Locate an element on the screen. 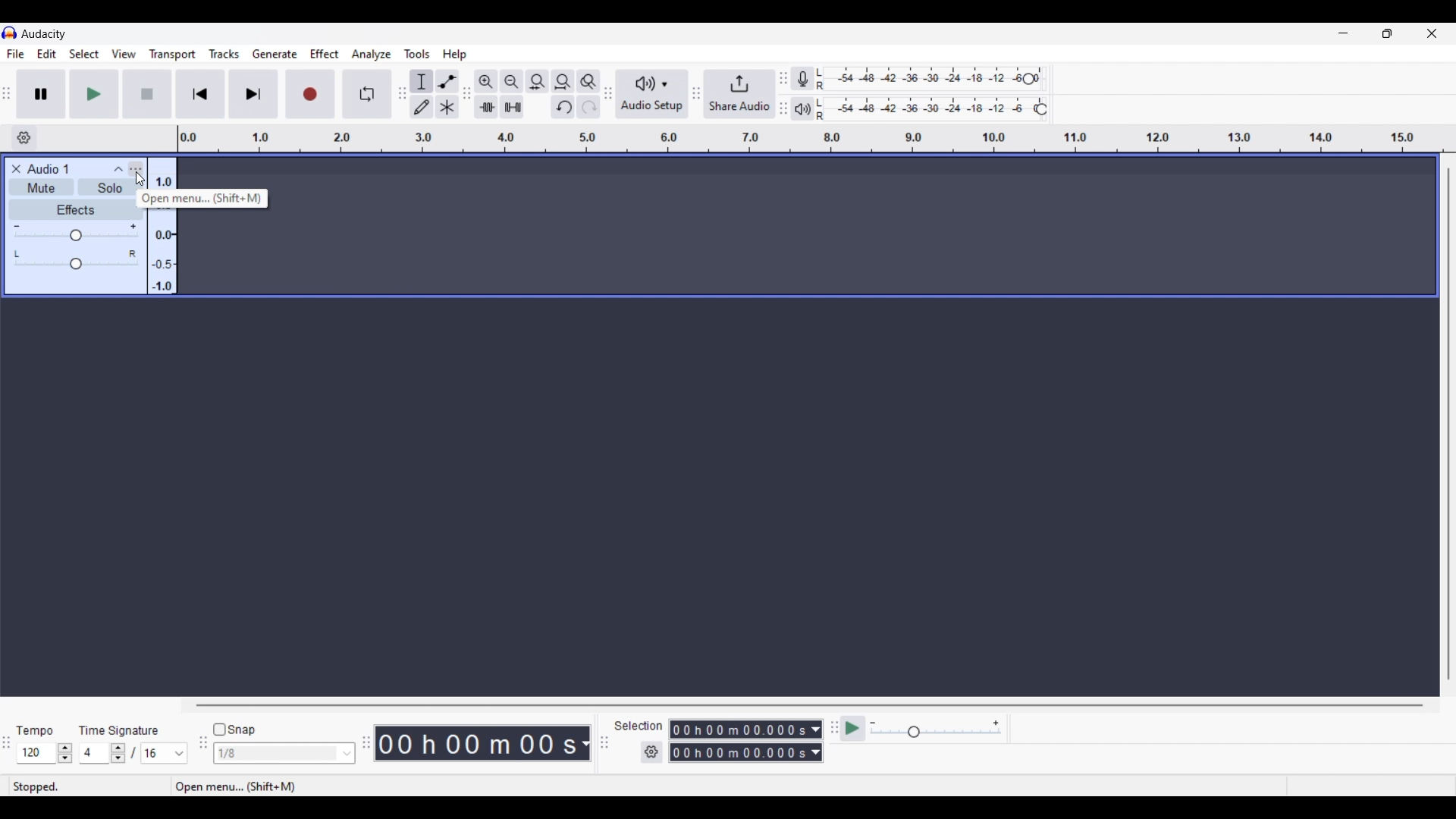 The height and width of the screenshot is (819, 1456). Scale to measure audio length is located at coordinates (817, 139).